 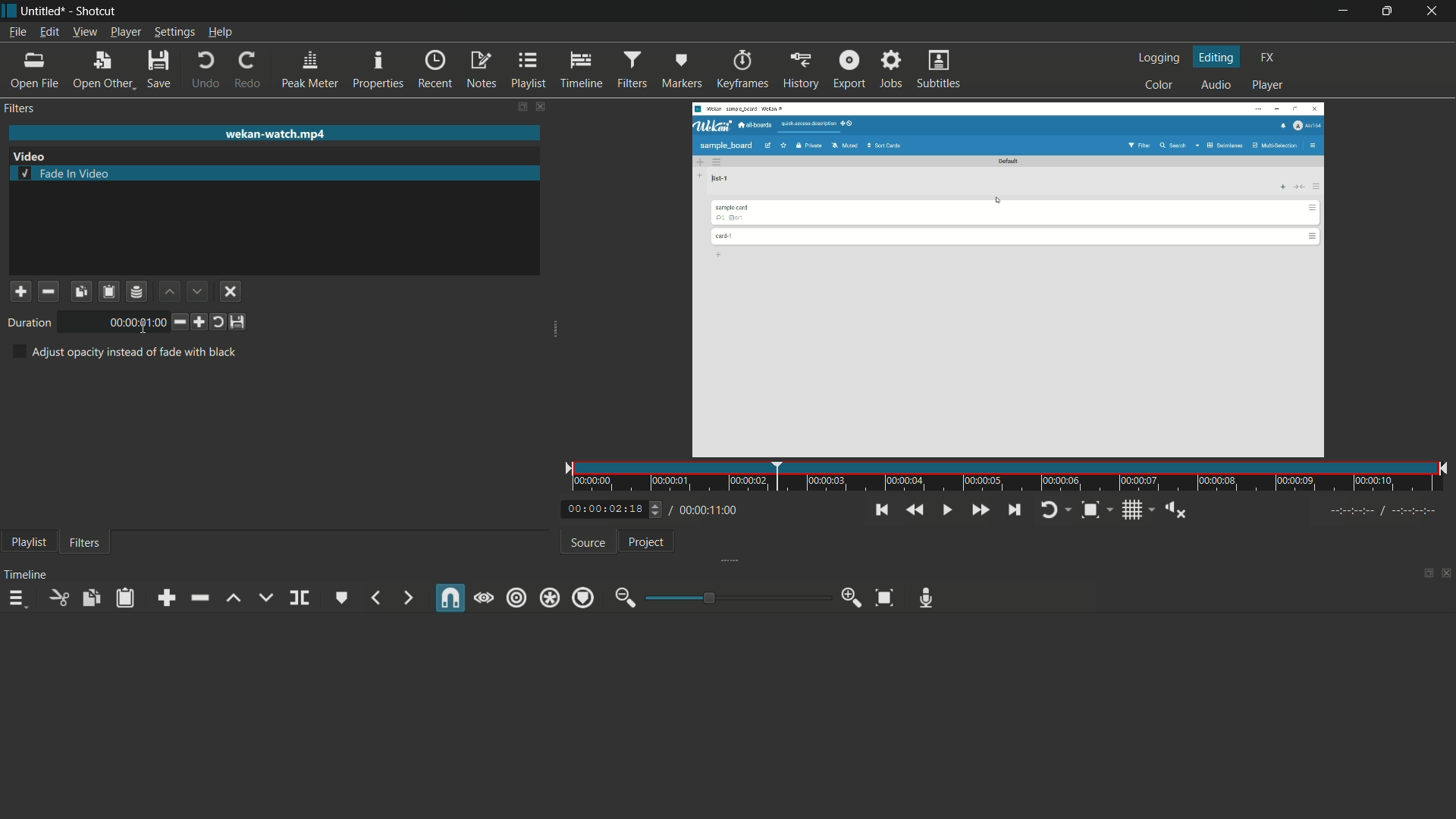 I want to click on audio, so click(x=1216, y=86).